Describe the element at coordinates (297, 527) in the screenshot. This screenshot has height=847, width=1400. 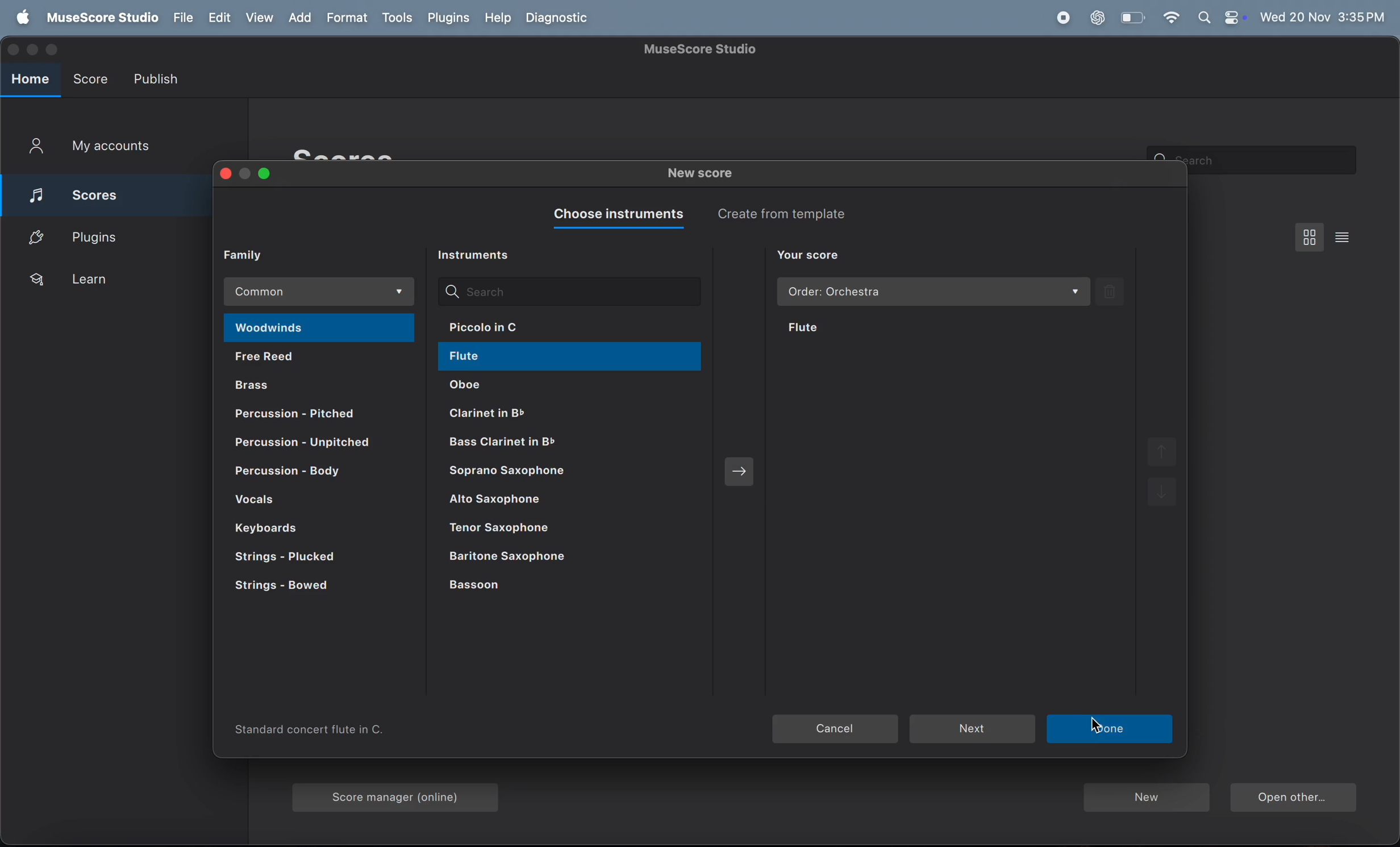
I see `keyboard` at that location.